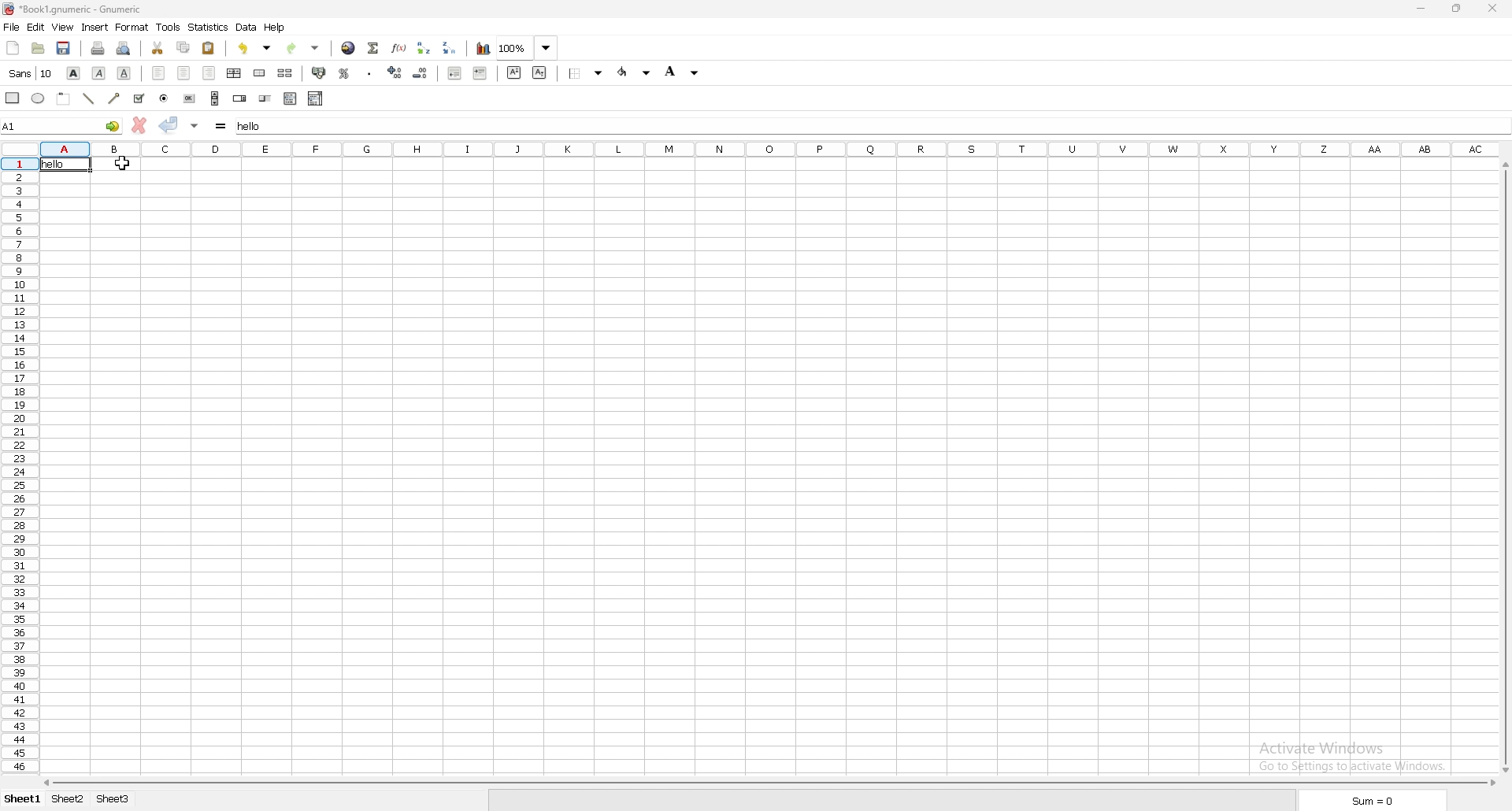 The image size is (1512, 811). I want to click on bold, so click(72, 72).